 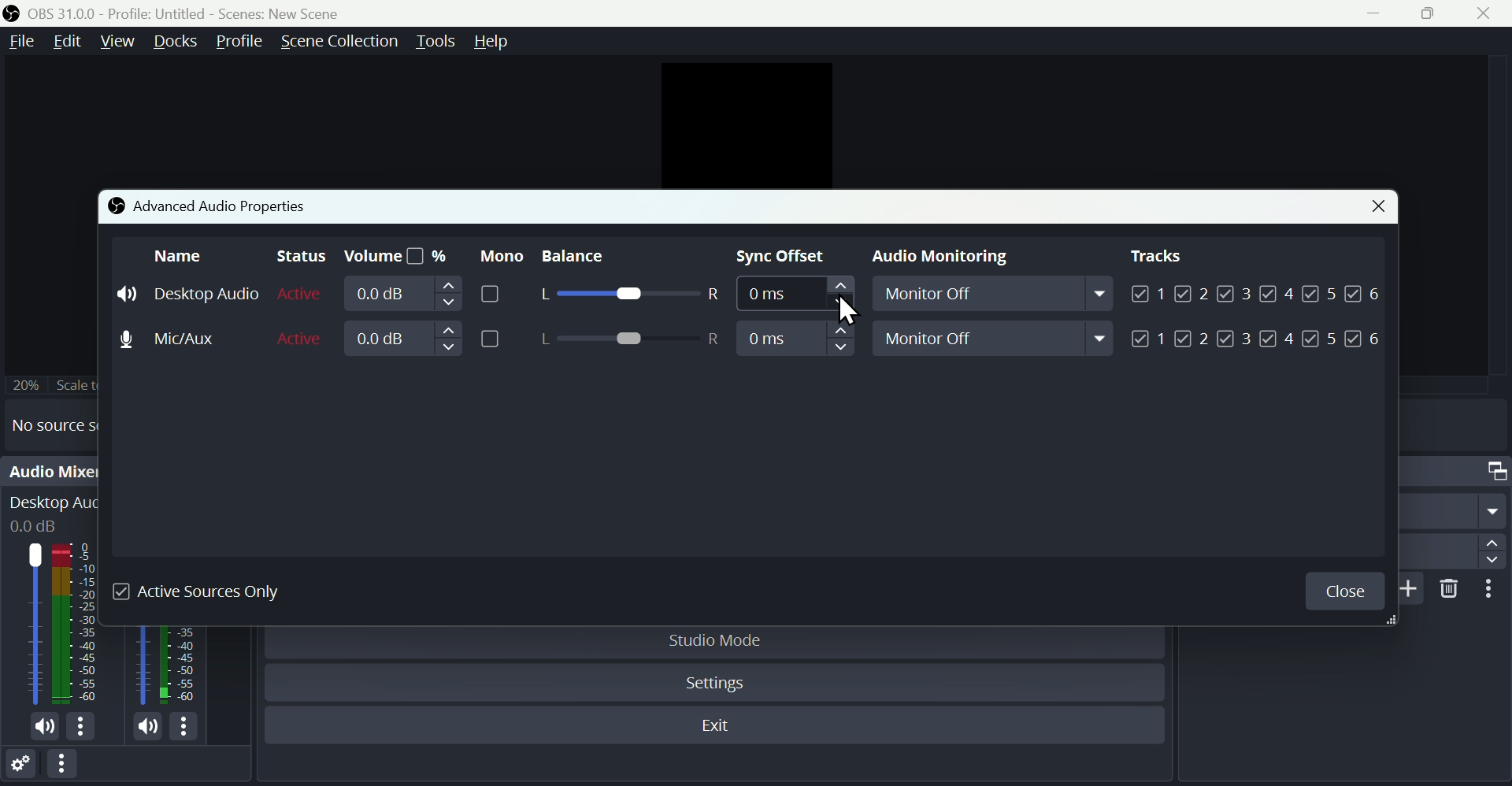 What do you see at coordinates (1234, 339) in the screenshot?
I see `(un)check Track 3` at bounding box center [1234, 339].